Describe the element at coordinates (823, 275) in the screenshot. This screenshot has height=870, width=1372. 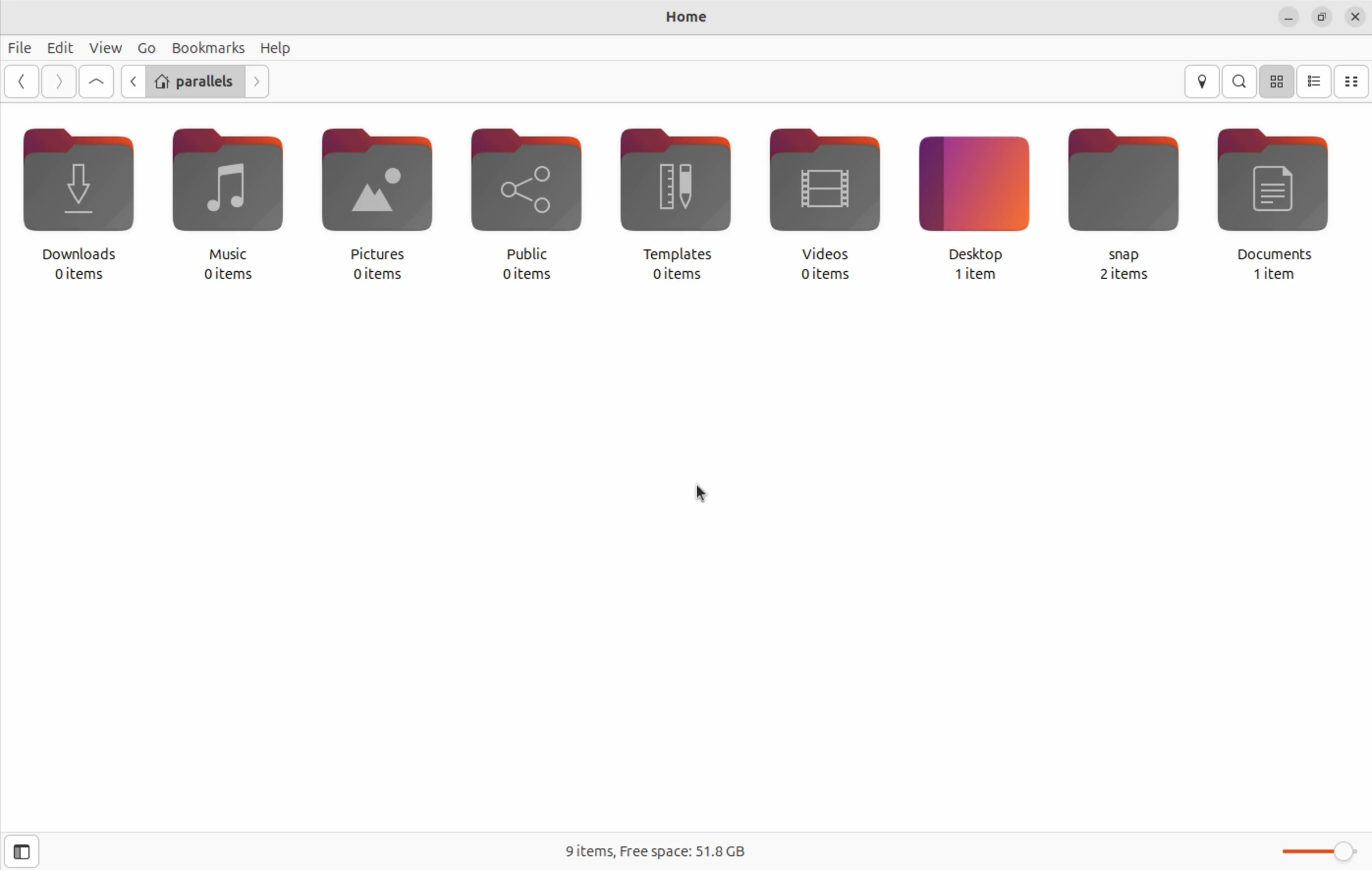
I see `0 items` at that location.